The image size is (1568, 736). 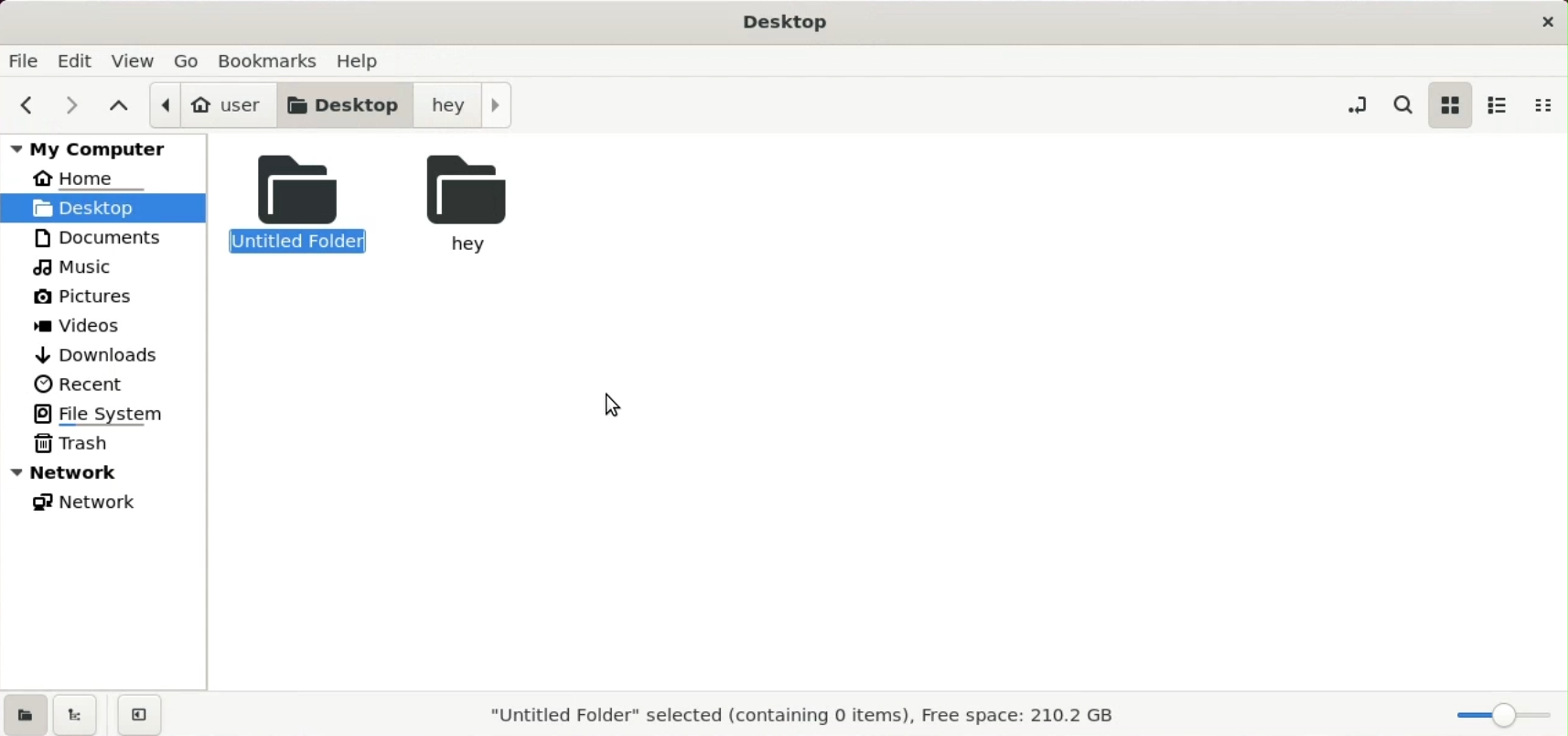 What do you see at coordinates (613, 407) in the screenshot?
I see `cursor` at bounding box center [613, 407].